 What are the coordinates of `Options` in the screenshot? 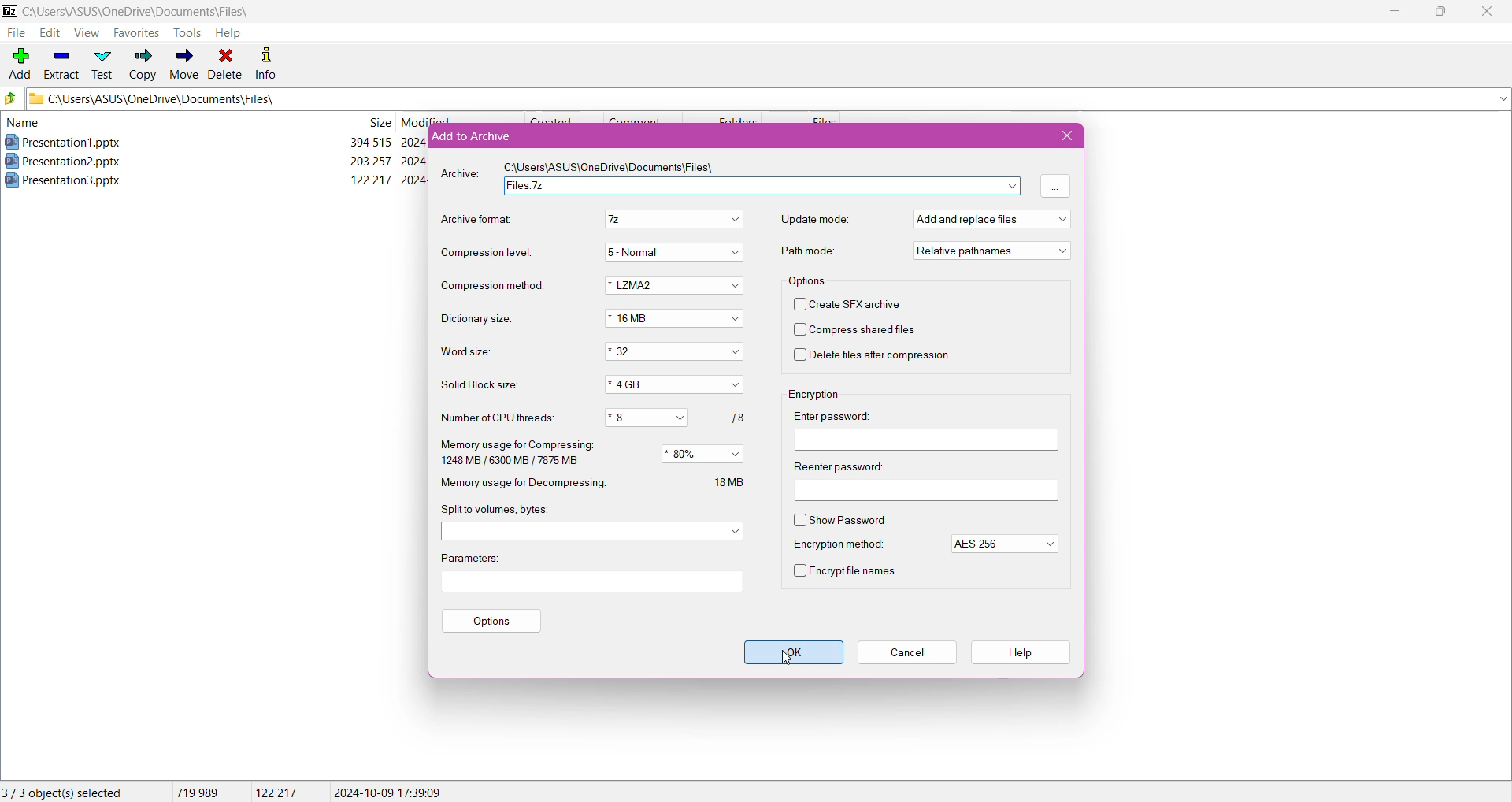 It's located at (806, 281).